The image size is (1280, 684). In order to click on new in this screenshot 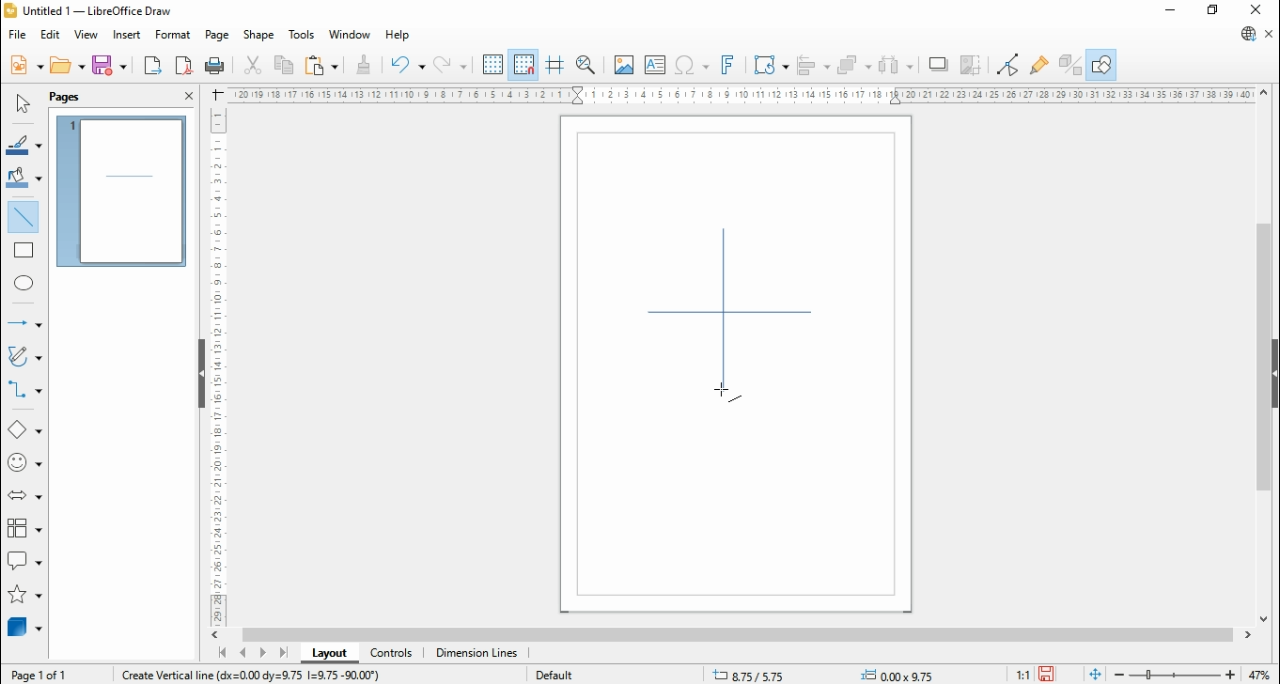, I will do `click(25, 66)`.